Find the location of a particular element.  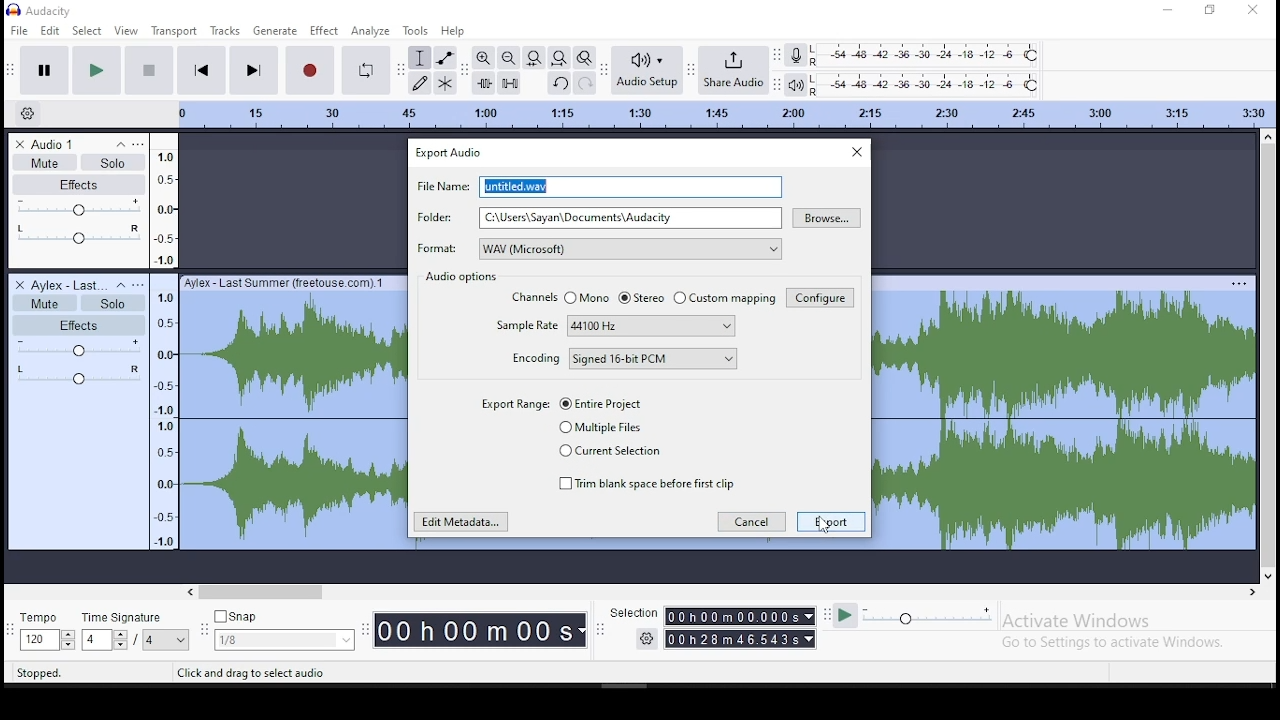

timeline is located at coordinates (723, 115).